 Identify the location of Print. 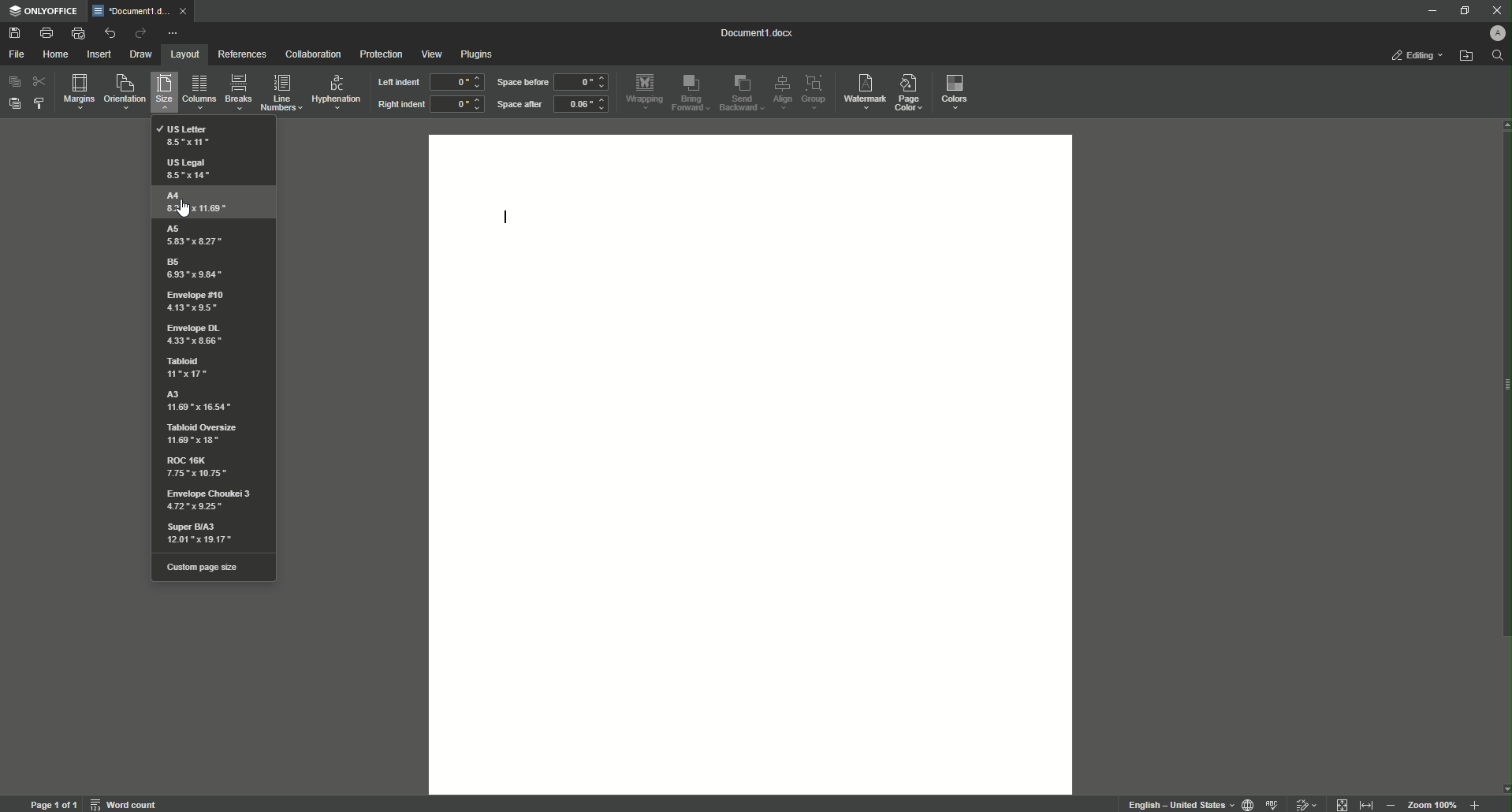
(43, 31).